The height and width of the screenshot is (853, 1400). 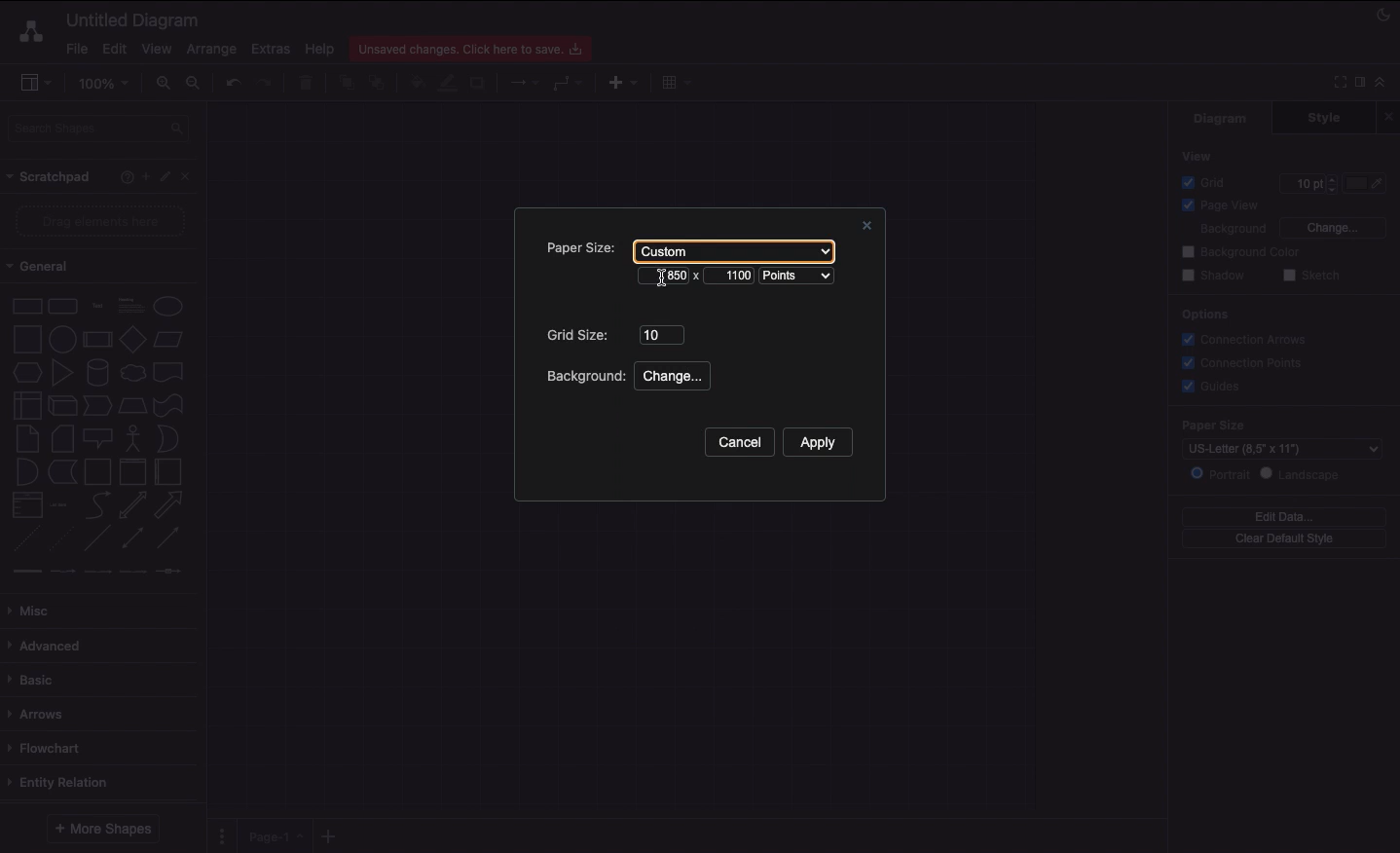 What do you see at coordinates (1283, 539) in the screenshot?
I see `Clear default style` at bounding box center [1283, 539].